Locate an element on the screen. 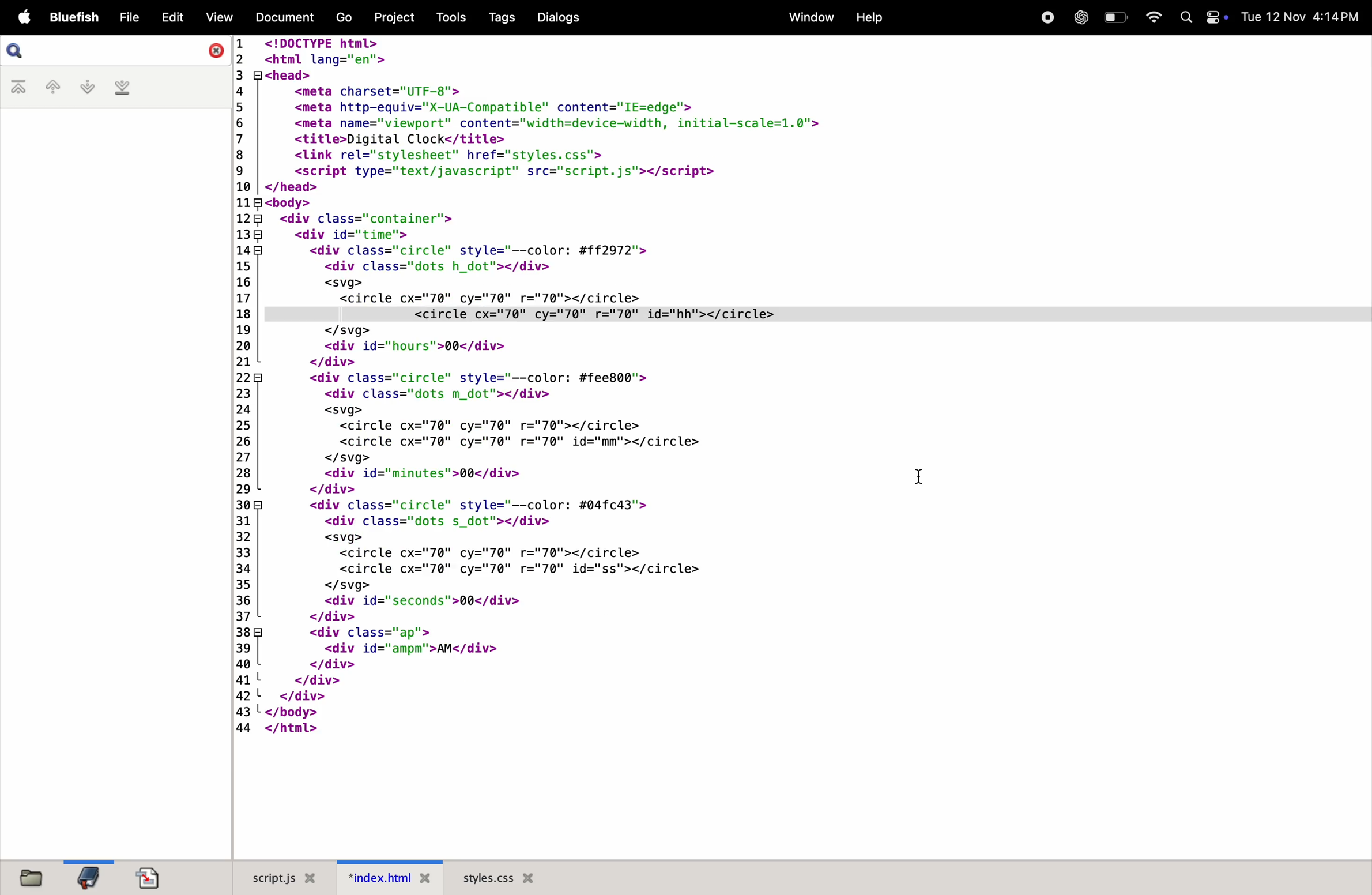  bluefish is located at coordinates (71, 18).